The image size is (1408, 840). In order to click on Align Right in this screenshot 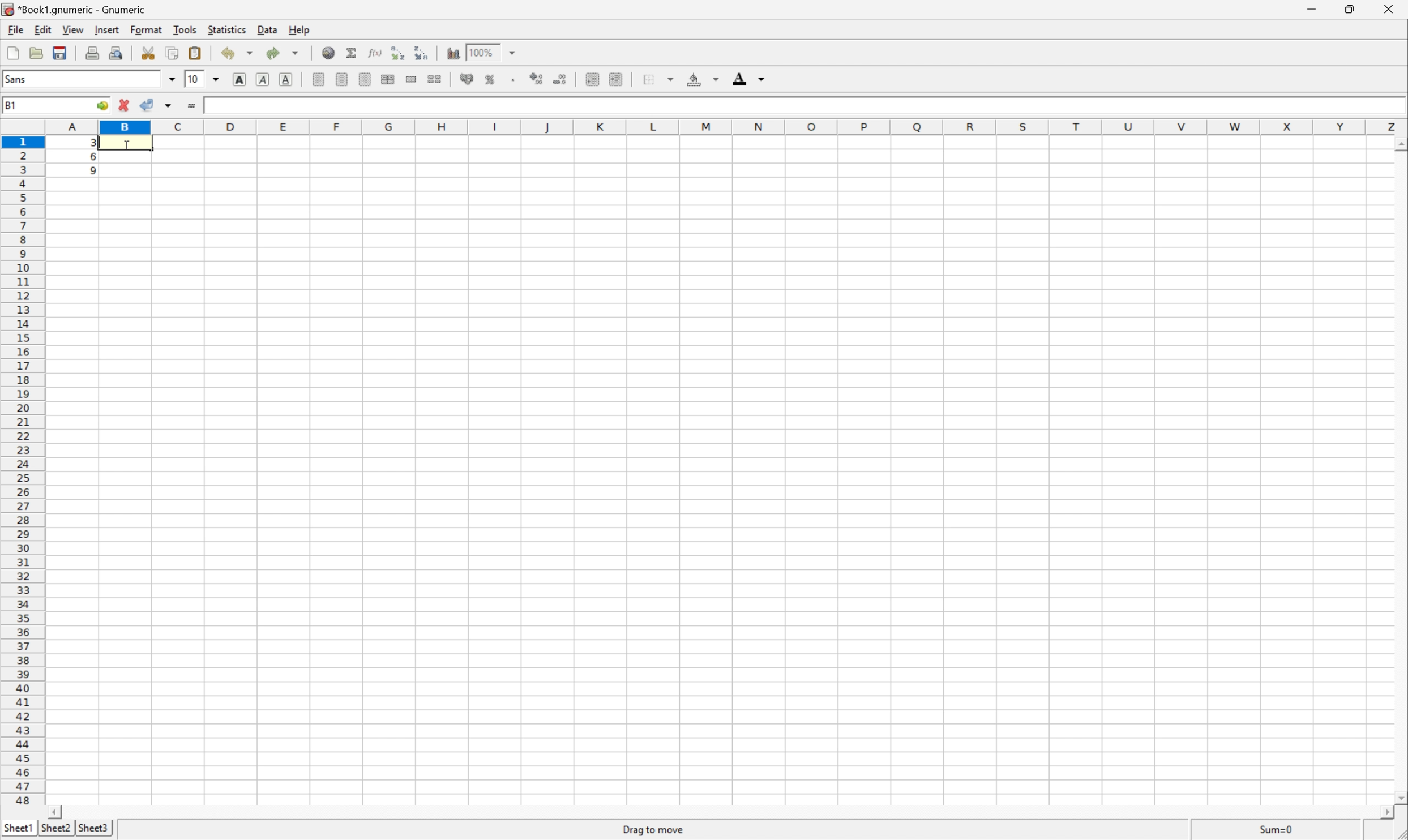, I will do `click(363, 79)`.